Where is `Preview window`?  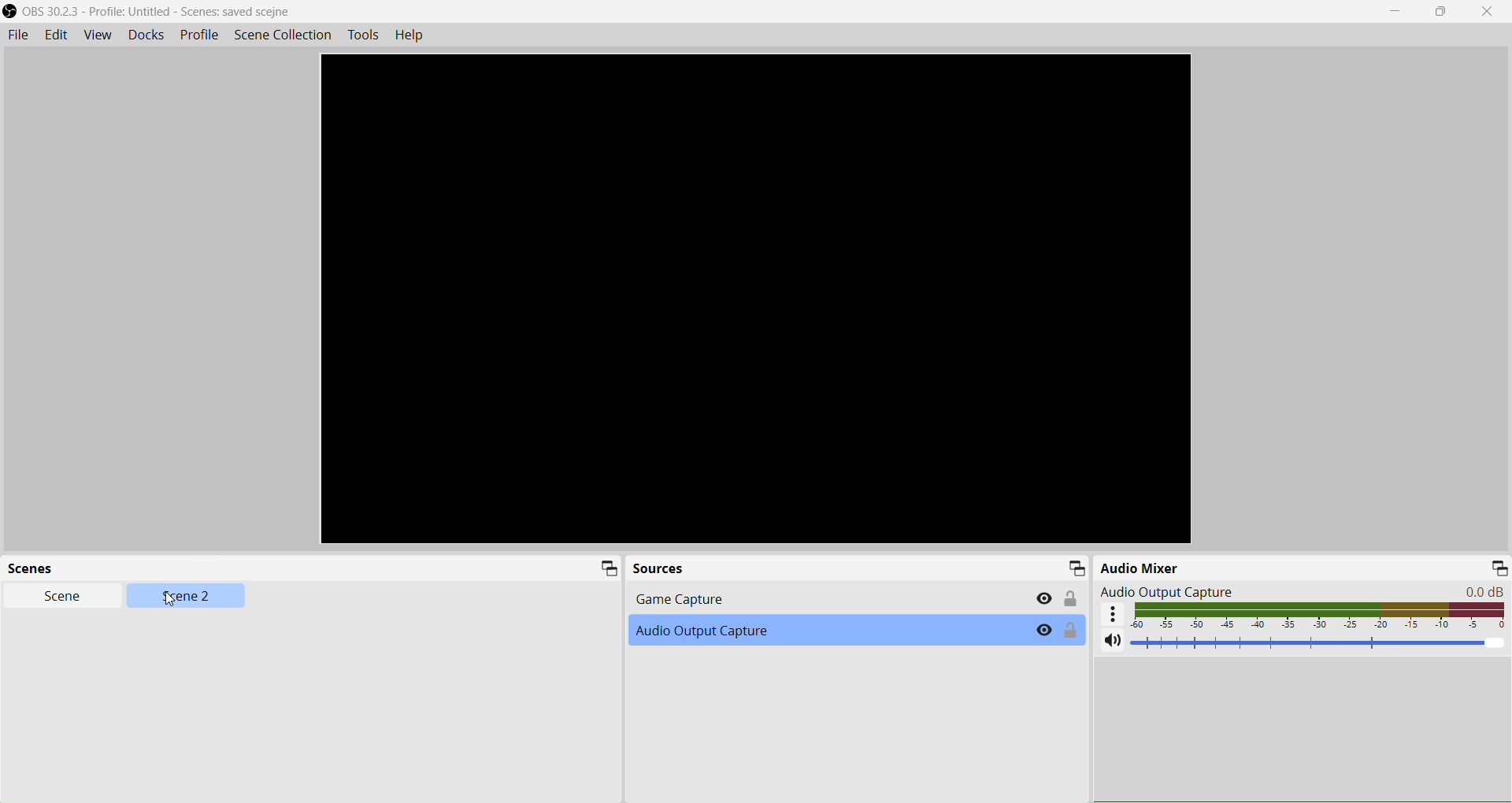 Preview window is located at coordinates (756, 298).